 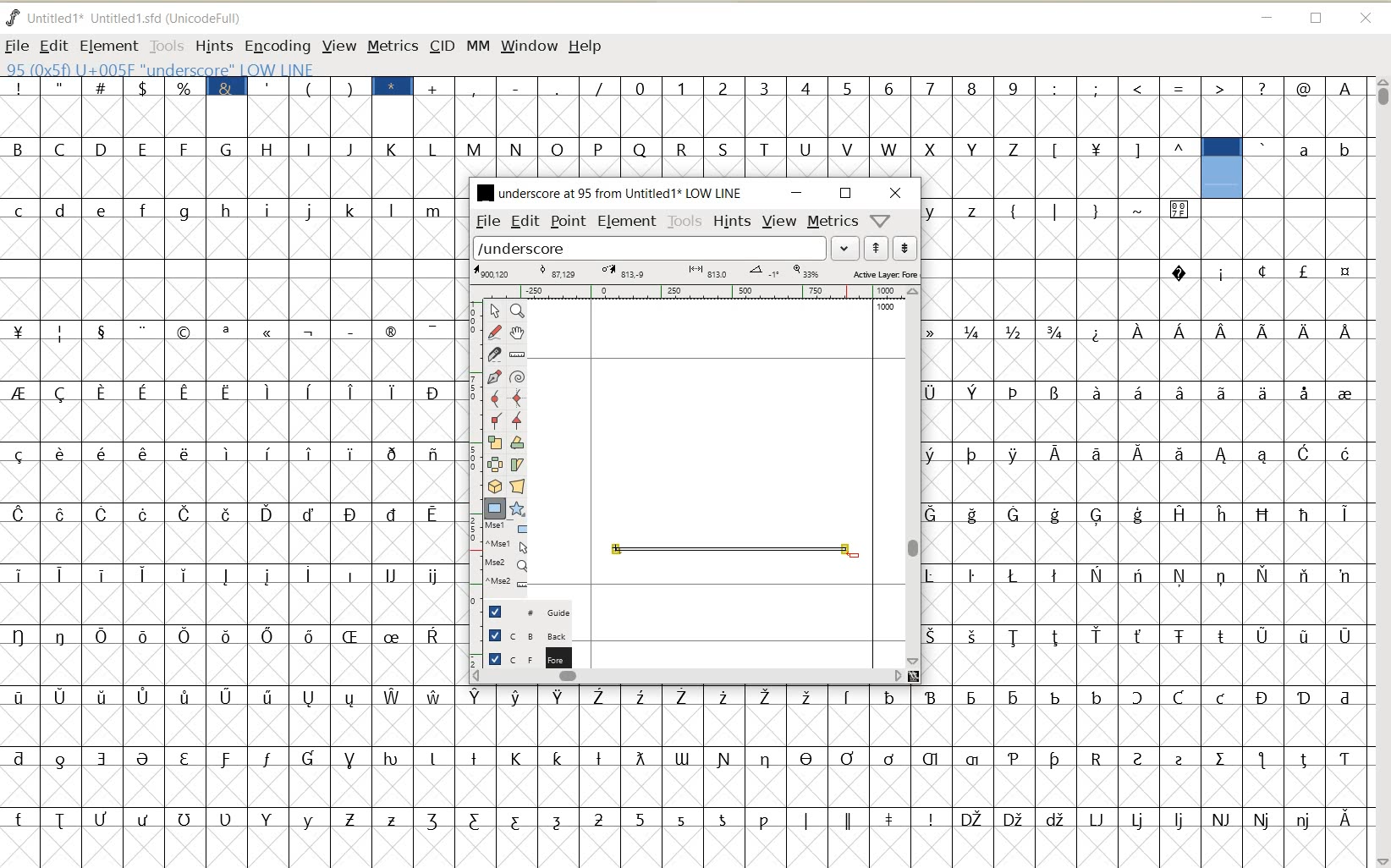 I want to click on change whether spiro is active or not, so click(x=517, y=375).